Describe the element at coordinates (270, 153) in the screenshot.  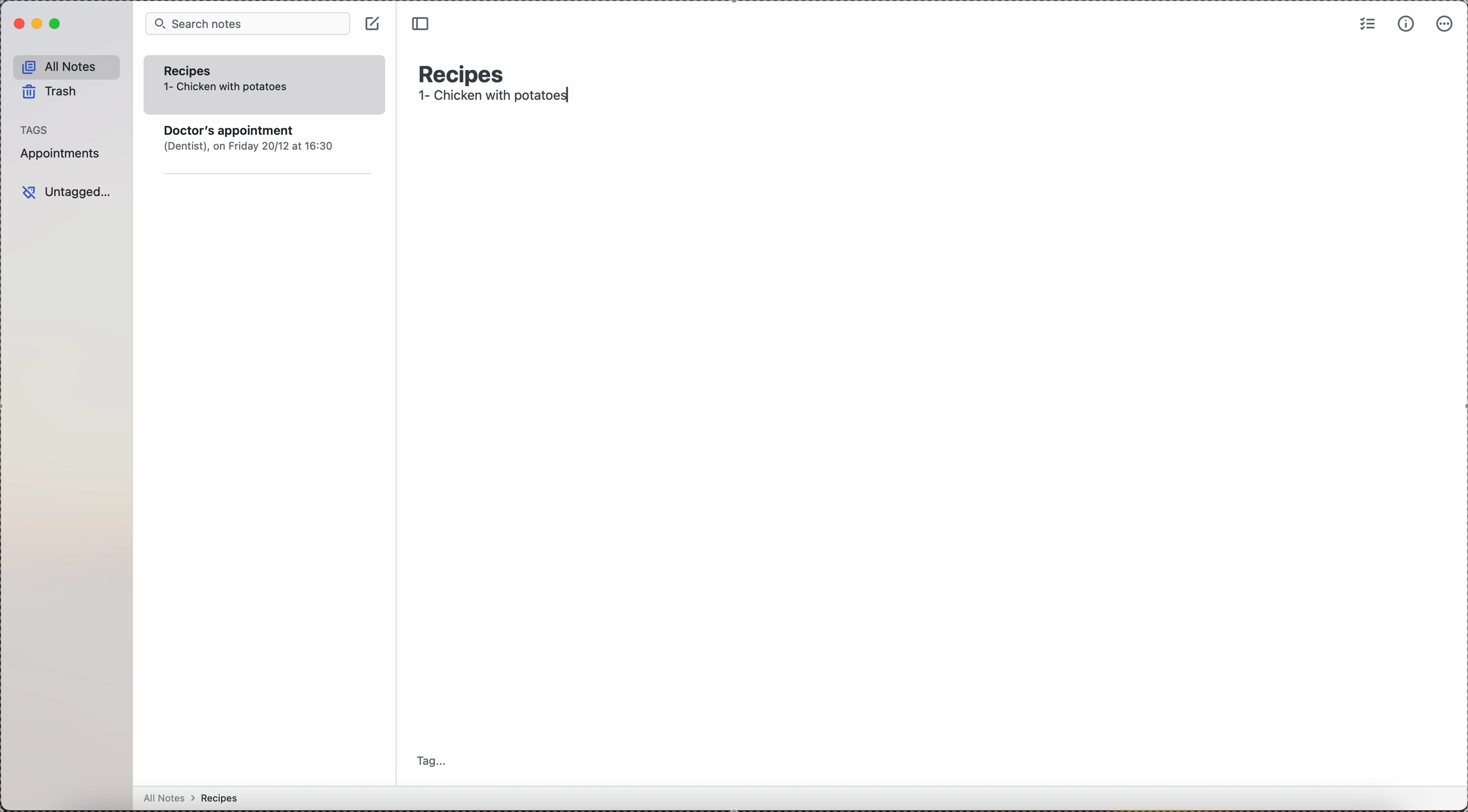
I see `note` at that location.